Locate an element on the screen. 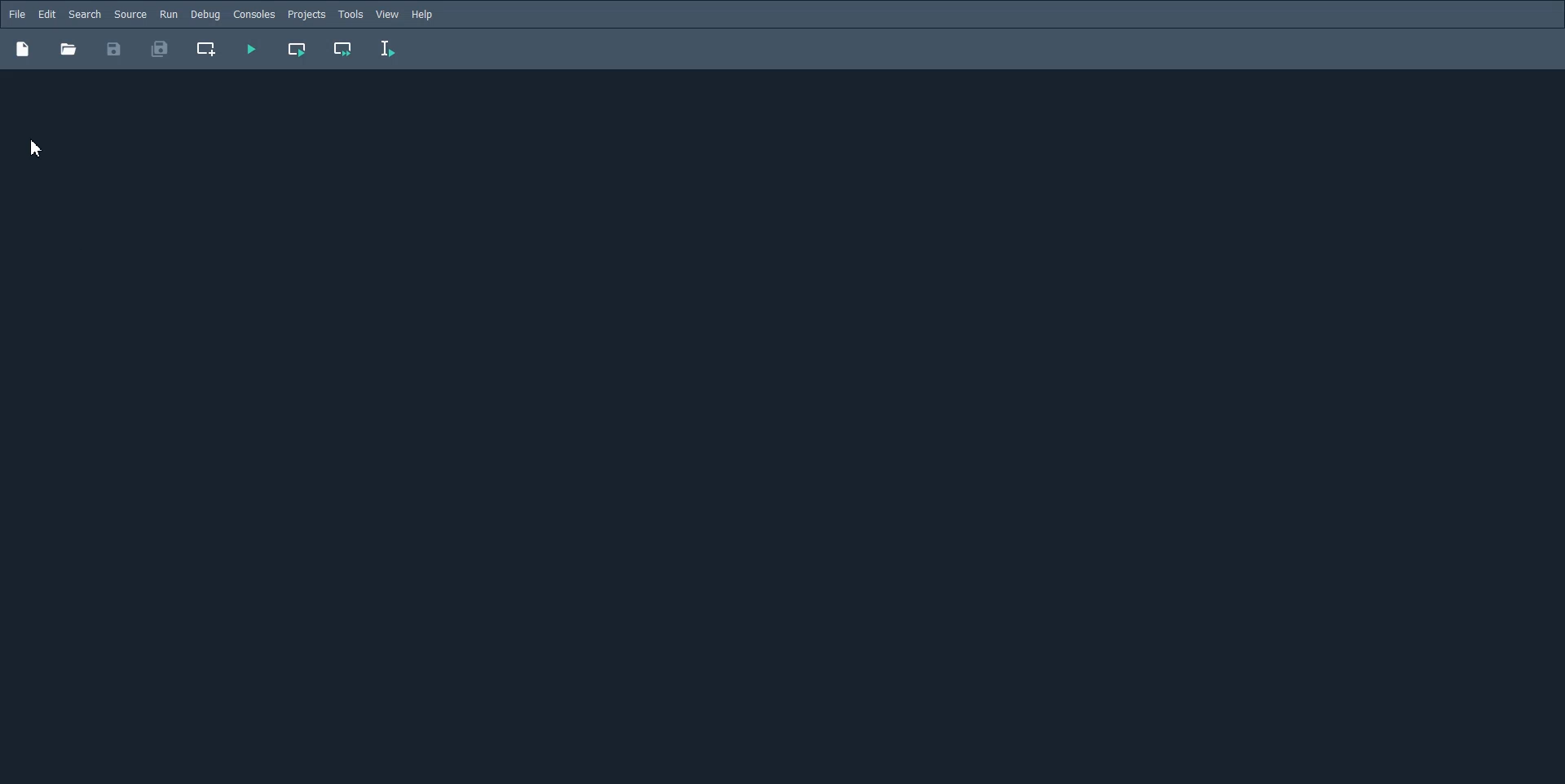 The height and width of the screenshot is (784, 1565). Projects is located at coordinates (306, 15).